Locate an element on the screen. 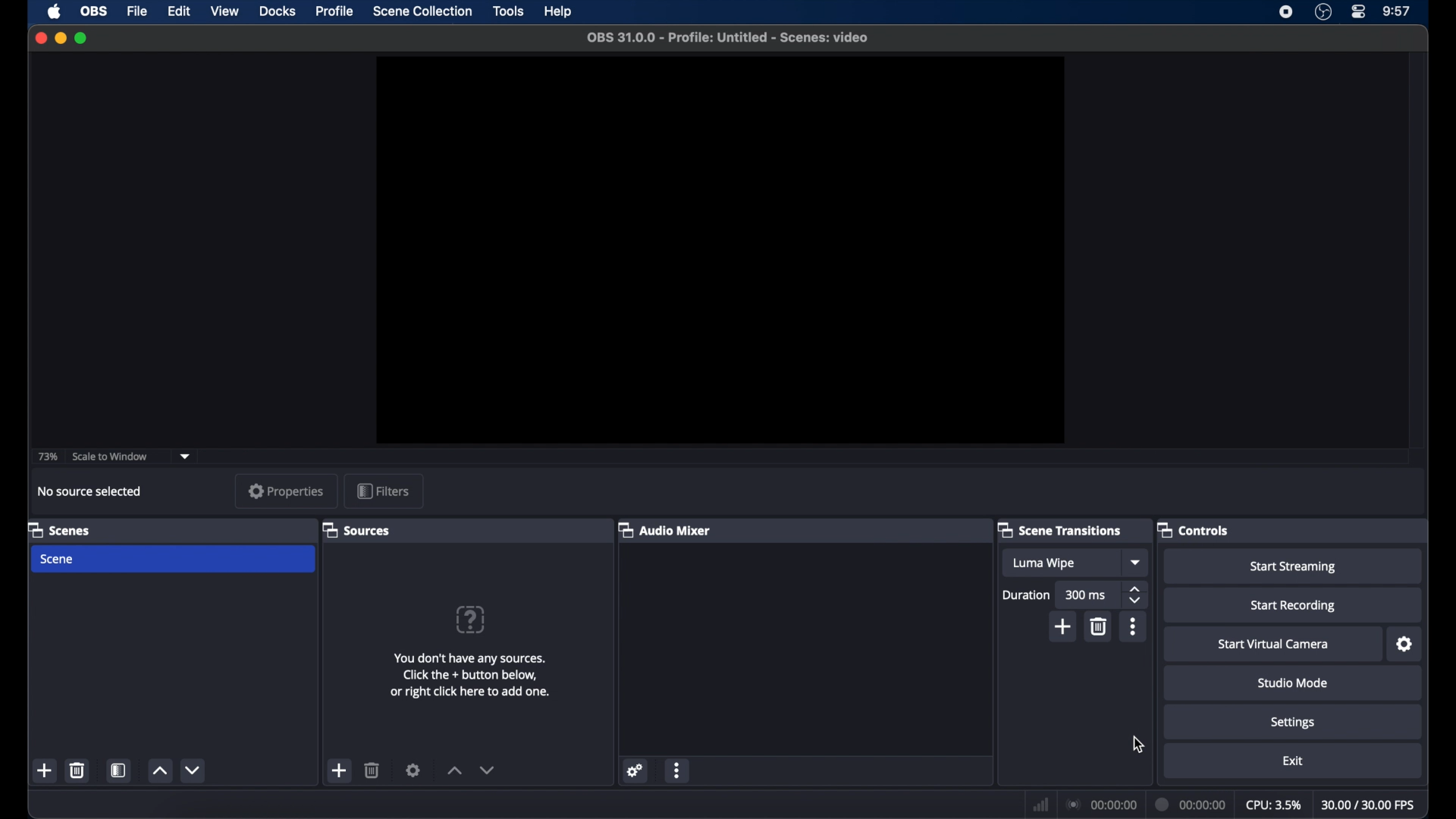 This screenshot has width=1456, height=819. settings is located at coordinates (1293, 722).